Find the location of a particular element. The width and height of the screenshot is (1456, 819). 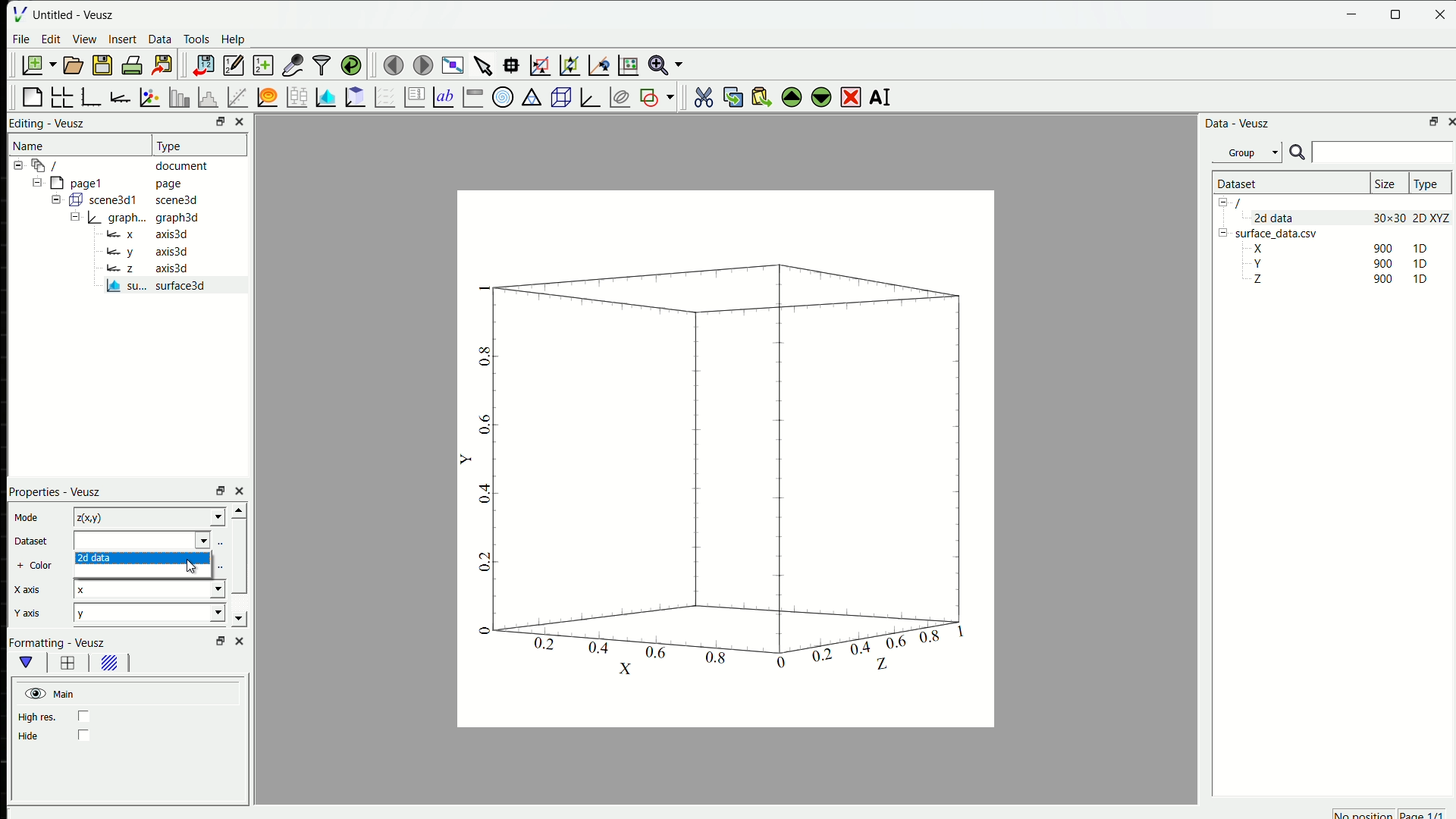

scroll down is located at coordinates (240, 619).